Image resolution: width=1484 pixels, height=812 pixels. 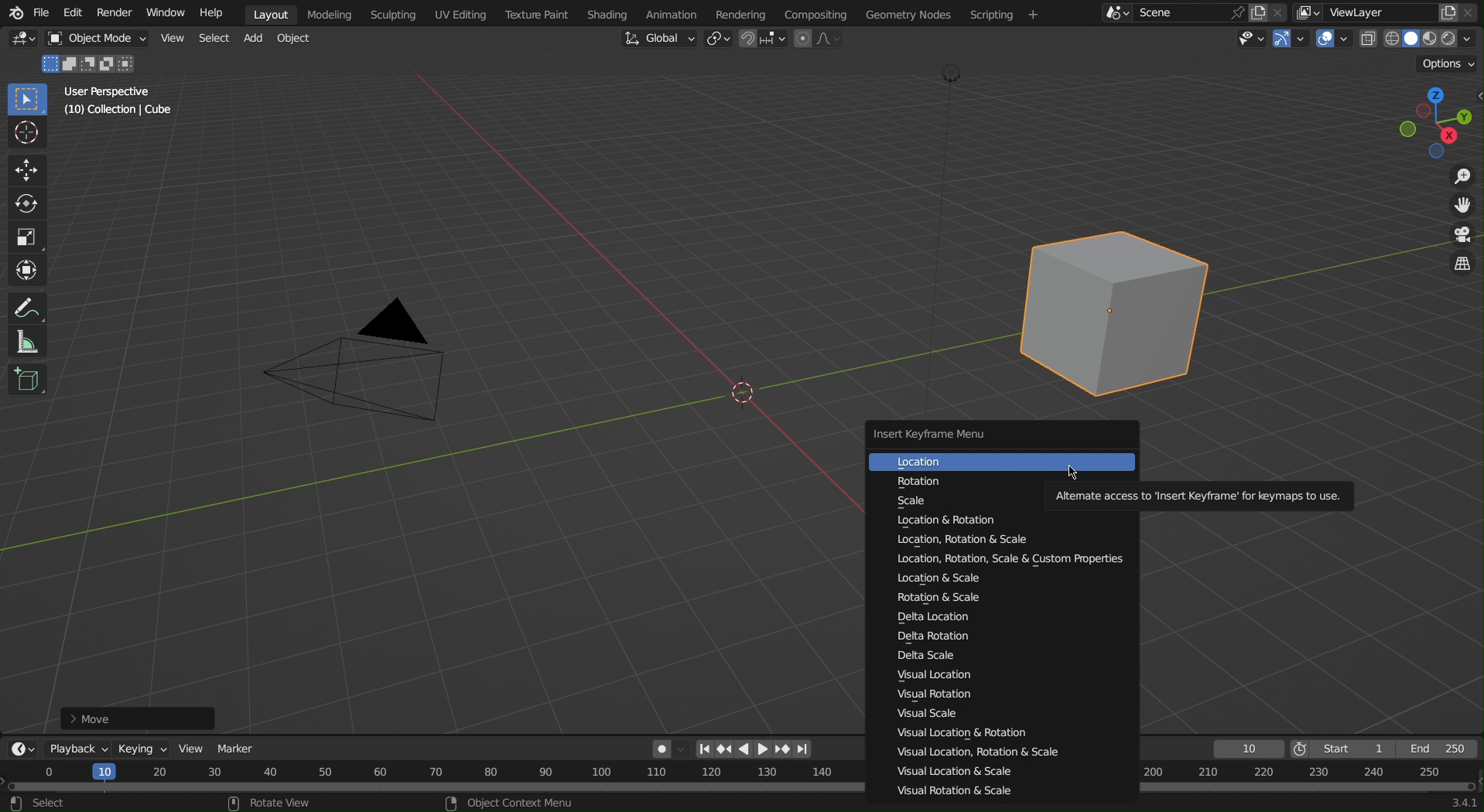 I want to click on Delta Scale, so click(x=938, y=657).